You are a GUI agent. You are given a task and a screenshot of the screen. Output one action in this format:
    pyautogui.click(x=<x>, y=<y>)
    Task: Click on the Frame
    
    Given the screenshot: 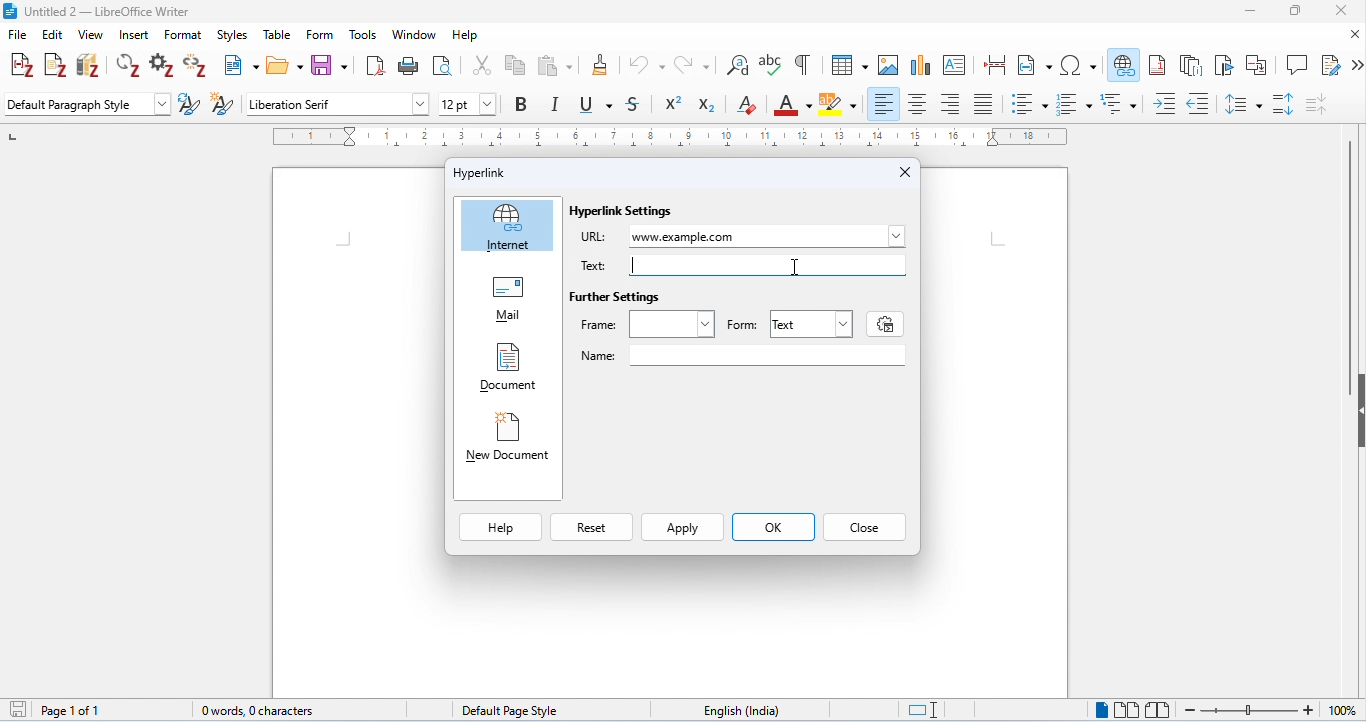 What is the action you would take?
    pyautogui.click(x=637, y=321)
    